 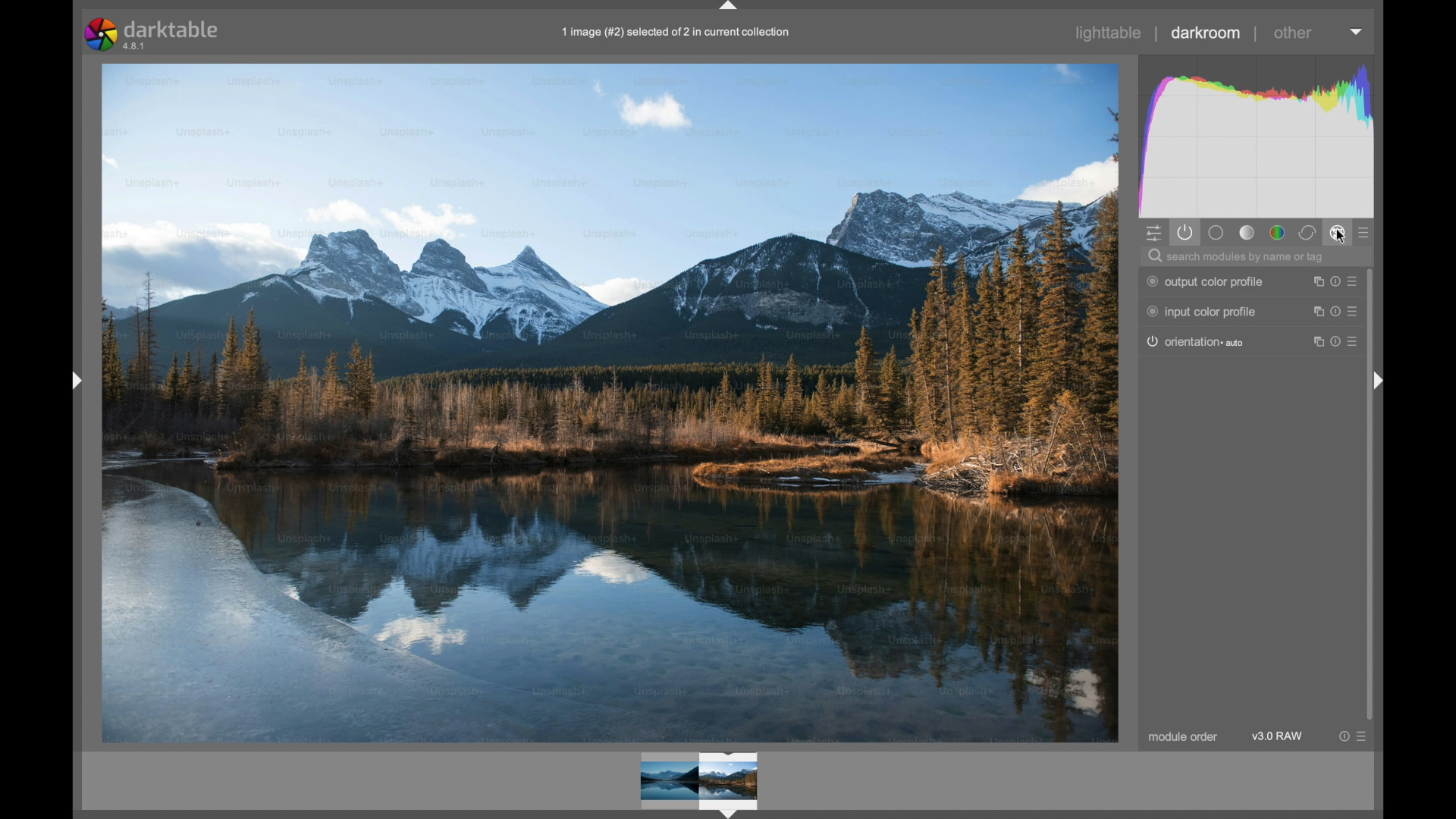 I want to click on quick access panel, so click(x=1154, y=234).